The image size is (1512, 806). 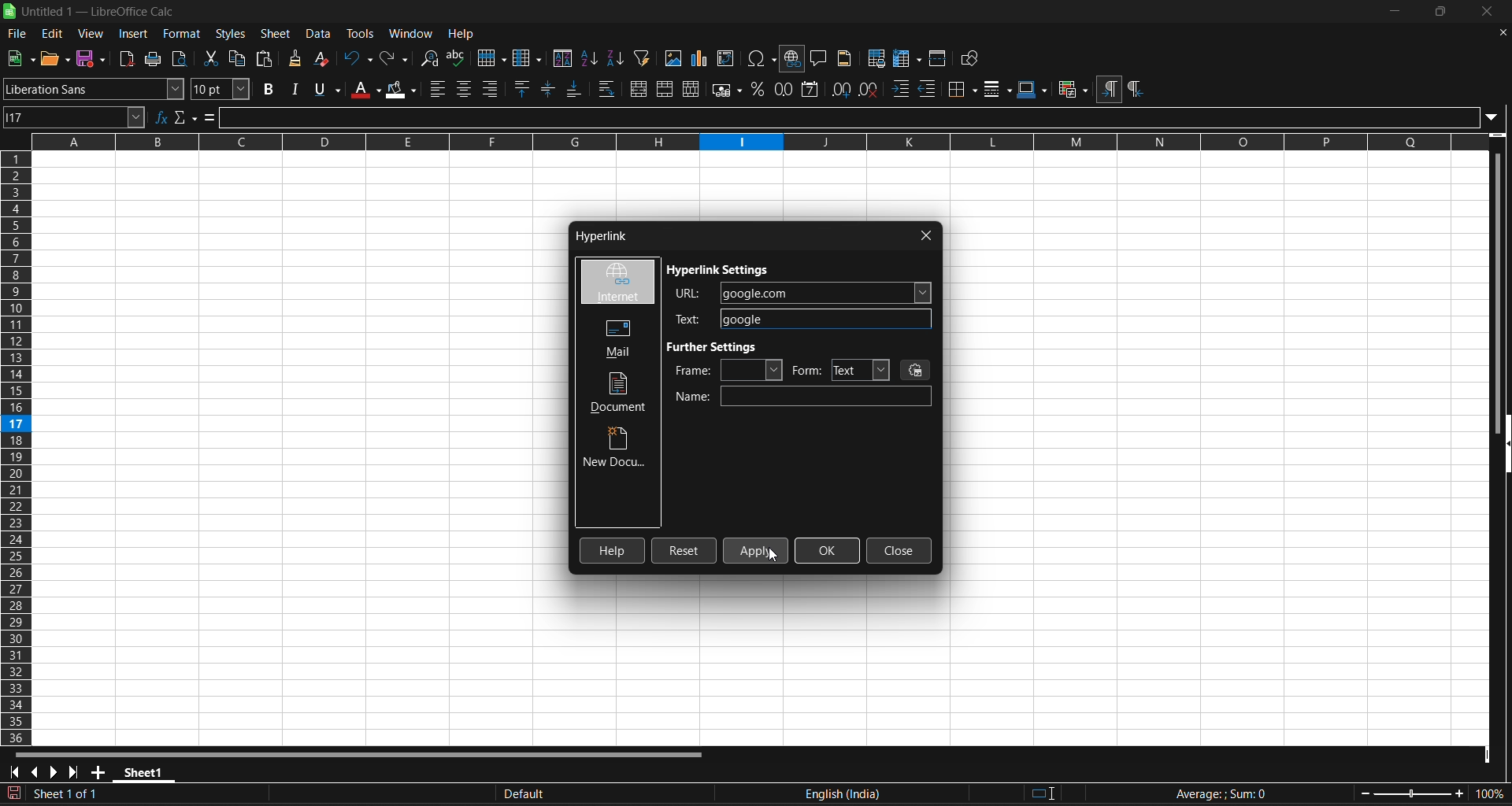 I want to click on default, so click(x=646, y=794).